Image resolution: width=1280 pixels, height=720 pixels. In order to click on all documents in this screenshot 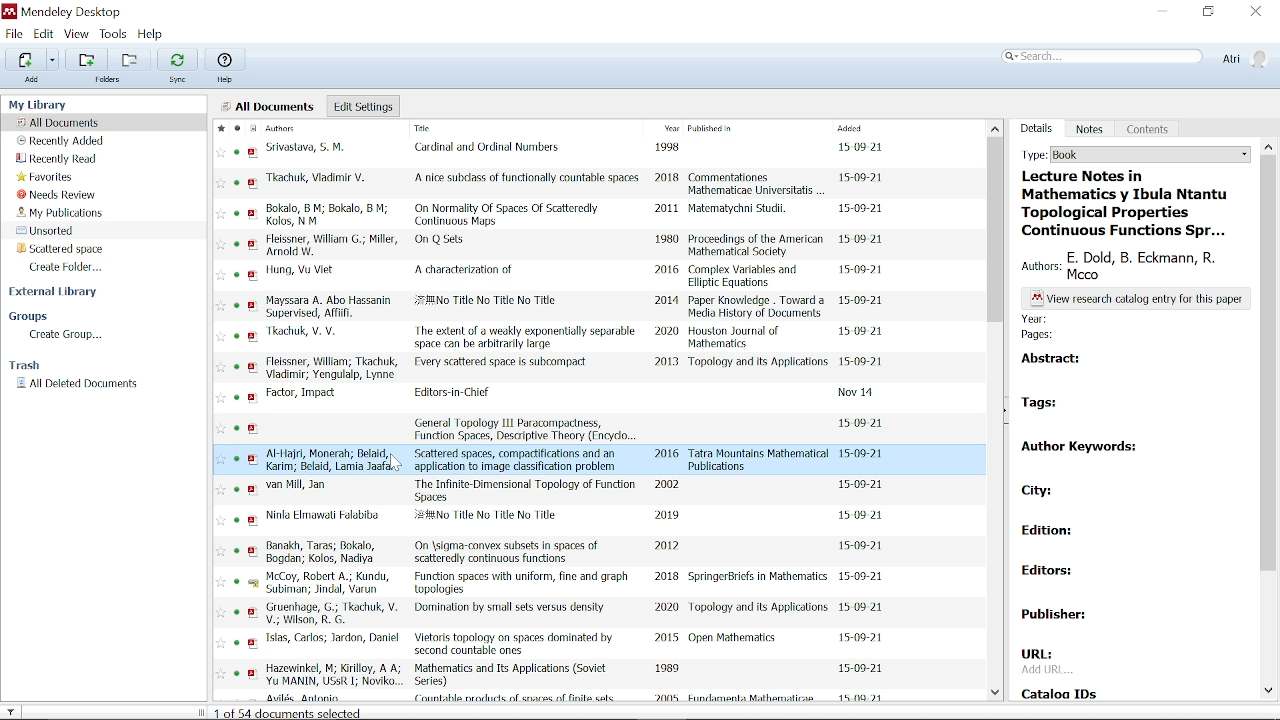, I will do `click(269, 106)`.